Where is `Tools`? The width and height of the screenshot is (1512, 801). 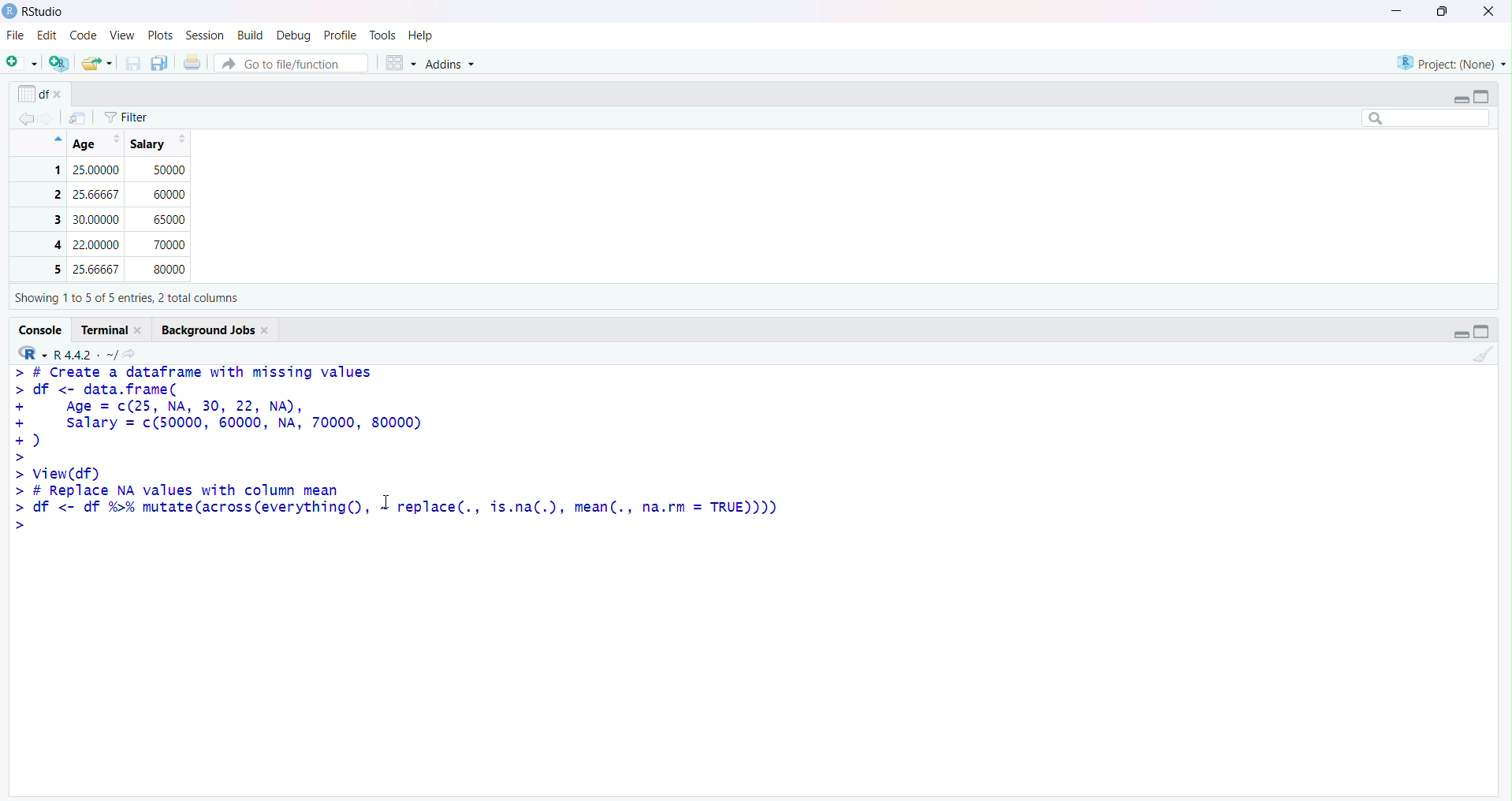
Tools is located at coordinates (384, 35).